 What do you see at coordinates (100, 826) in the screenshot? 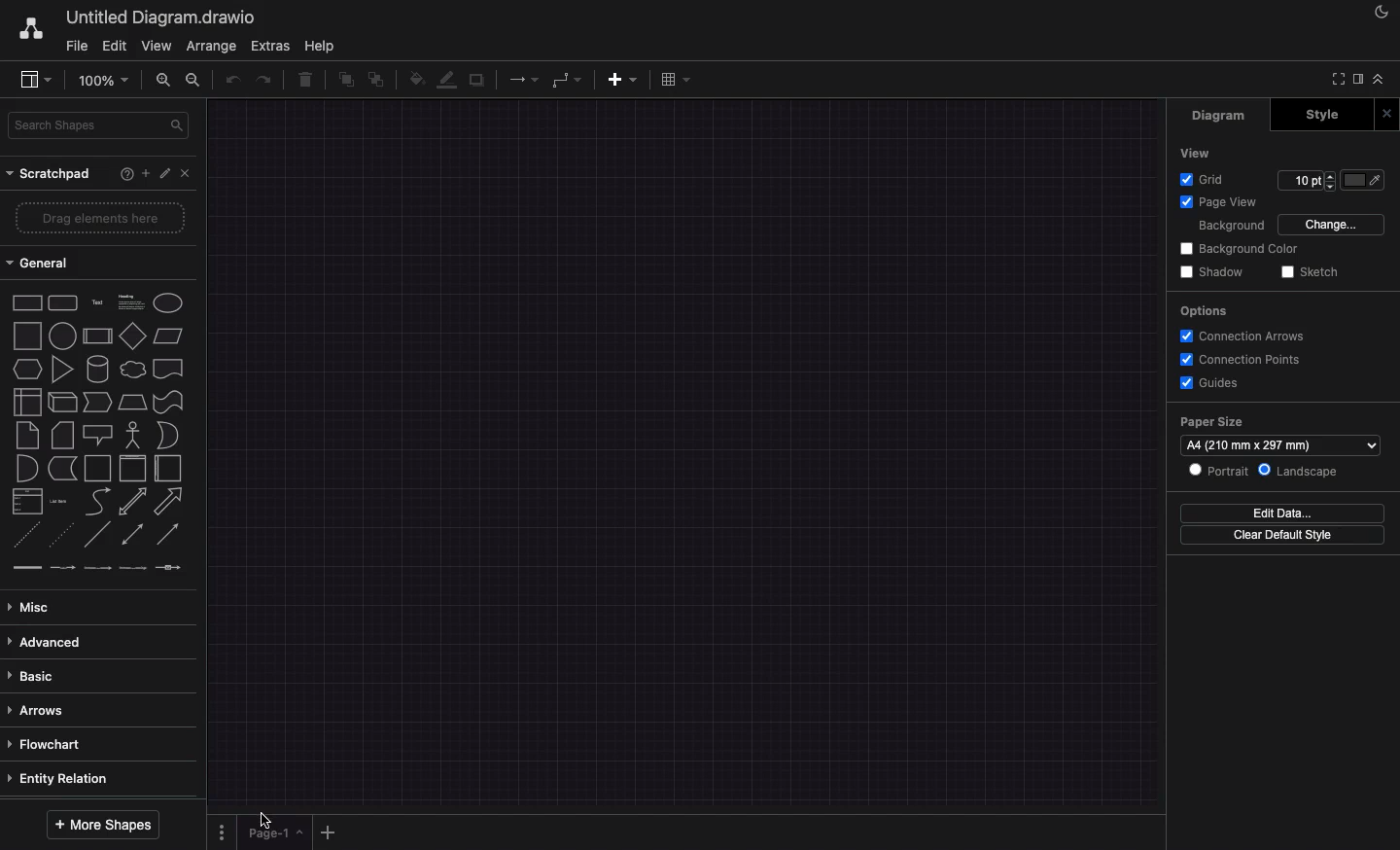
I see `more shapes` at bounding box center [100, 826].